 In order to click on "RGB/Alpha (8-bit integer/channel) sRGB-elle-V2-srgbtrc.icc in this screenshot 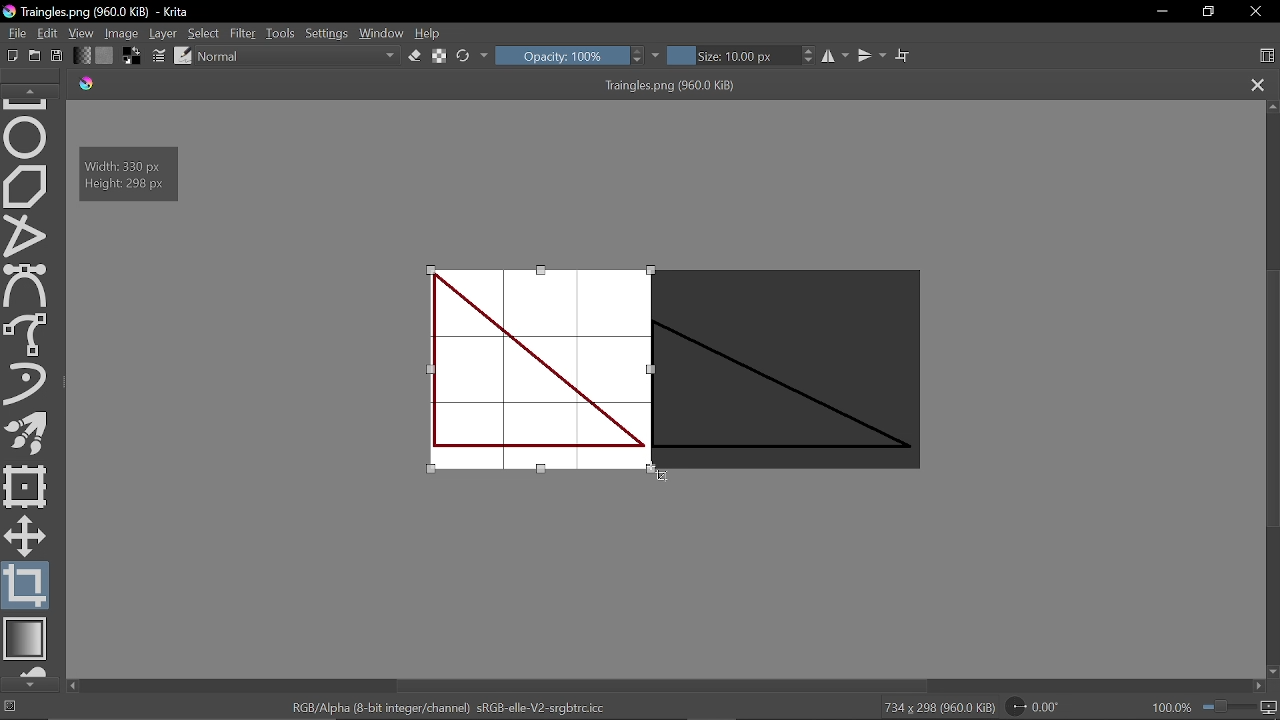, I will do `click(448, 707)`.